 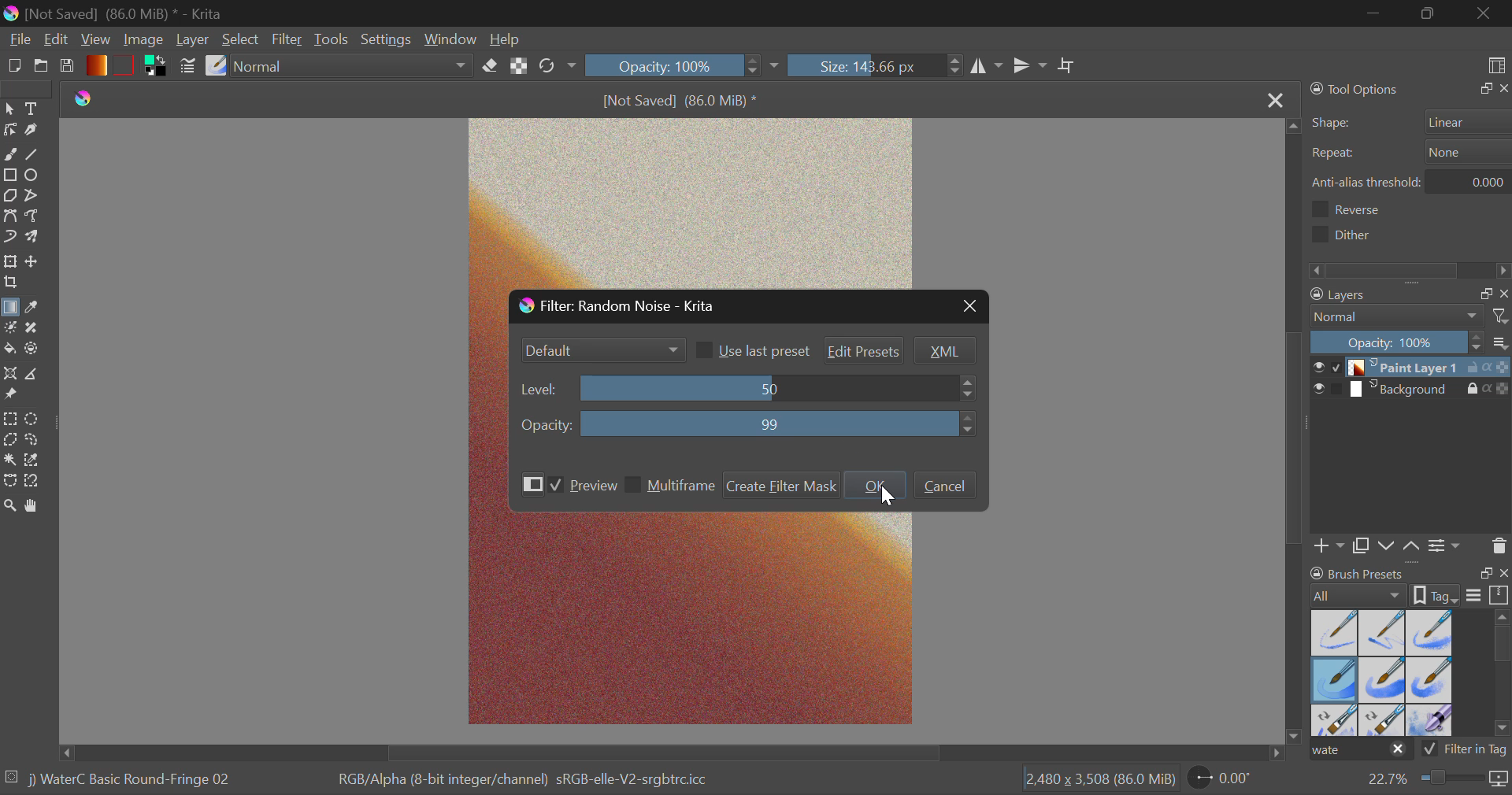 What do you see at coordinates (1338, 393) in the screenshot?
I see `enable background` at bounding box center [1338, 393].